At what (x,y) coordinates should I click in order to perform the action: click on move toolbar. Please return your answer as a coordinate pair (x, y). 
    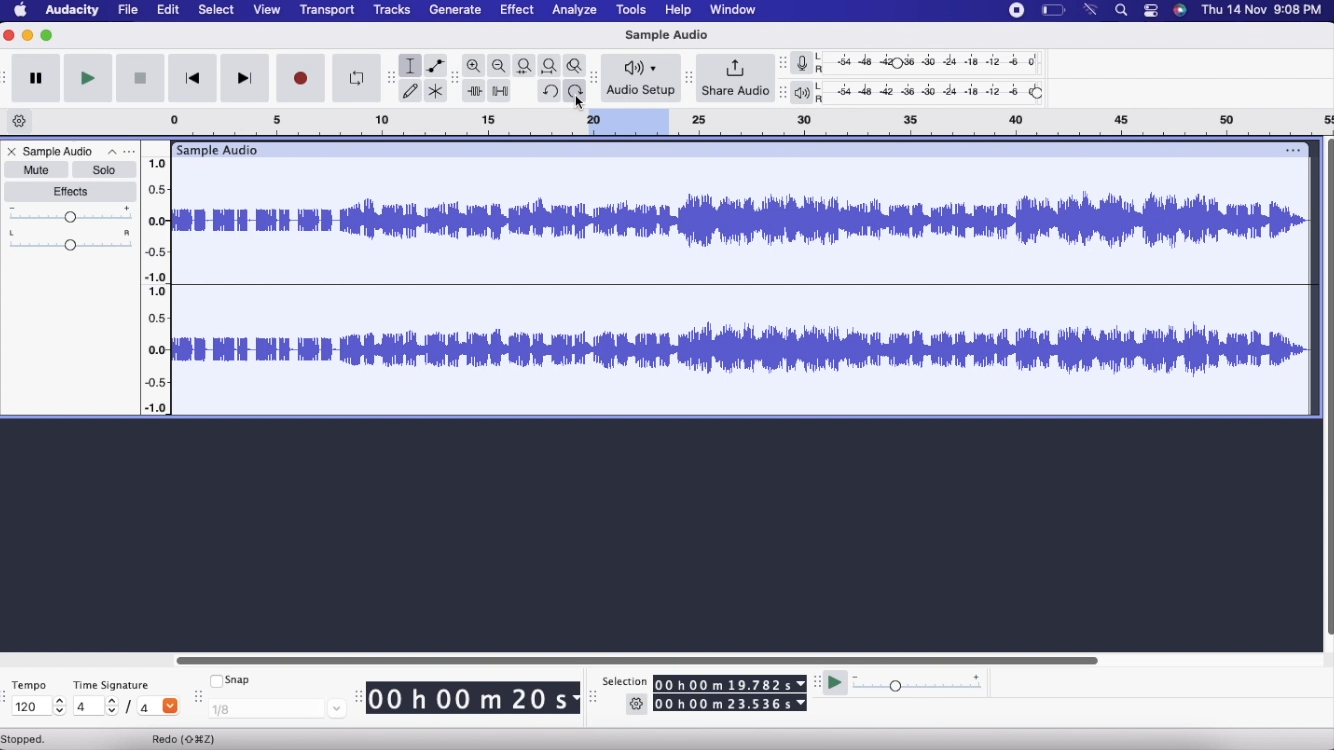
    Looking at the image, I should click on (595, 697).